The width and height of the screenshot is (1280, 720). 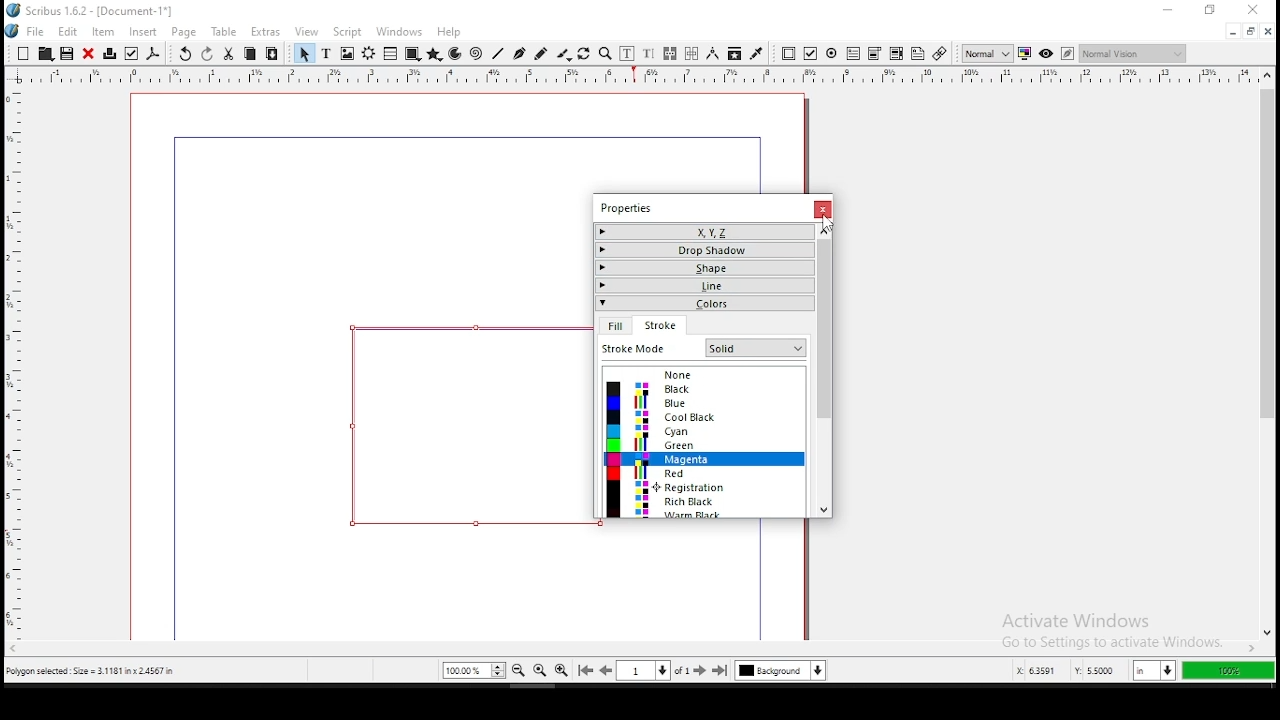 What do you see at coordinates (670, 54) in the screenshot?
I see `link text frames` at bounding box center [670, 54].